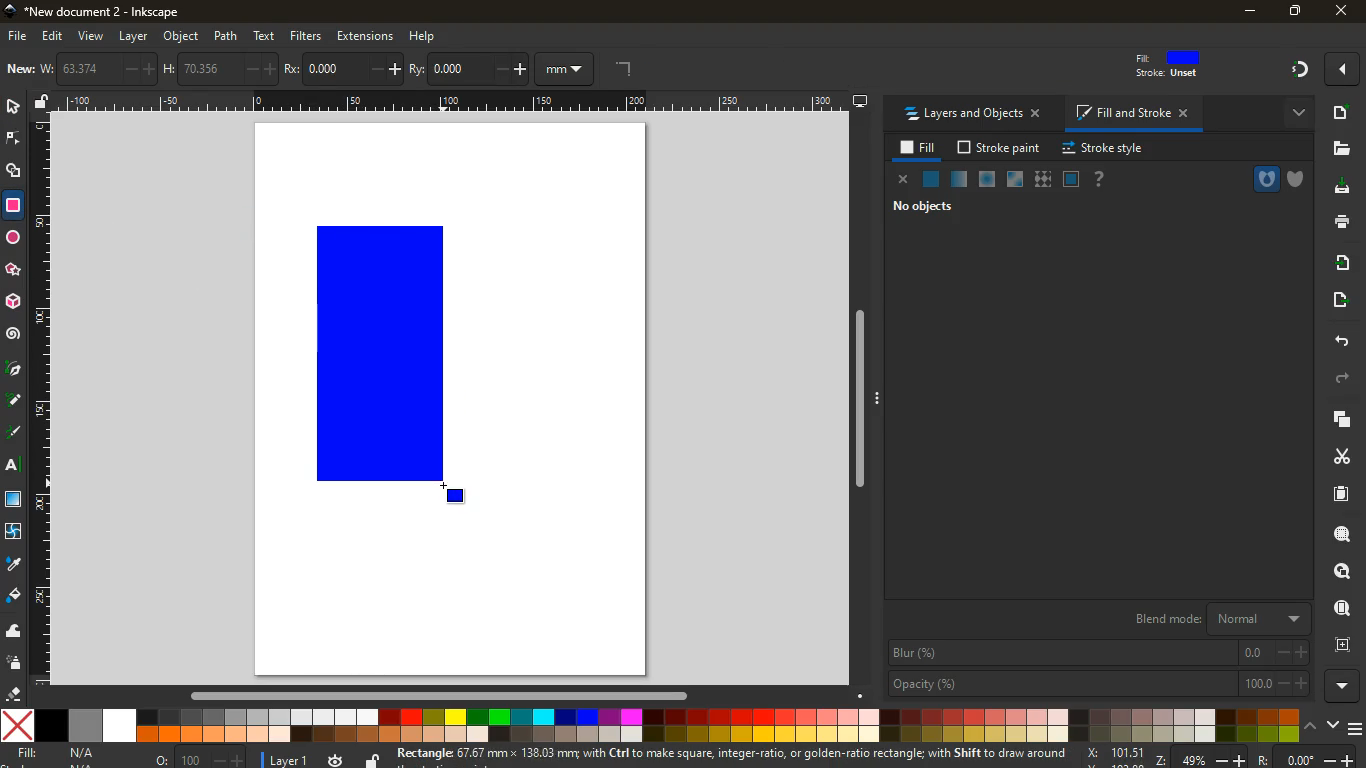 This screenshot has height=768, width=1366. What do you see at coordinates (1100, 652) in the screenshot?
I see `blur` at bounding box center [1100, 652].